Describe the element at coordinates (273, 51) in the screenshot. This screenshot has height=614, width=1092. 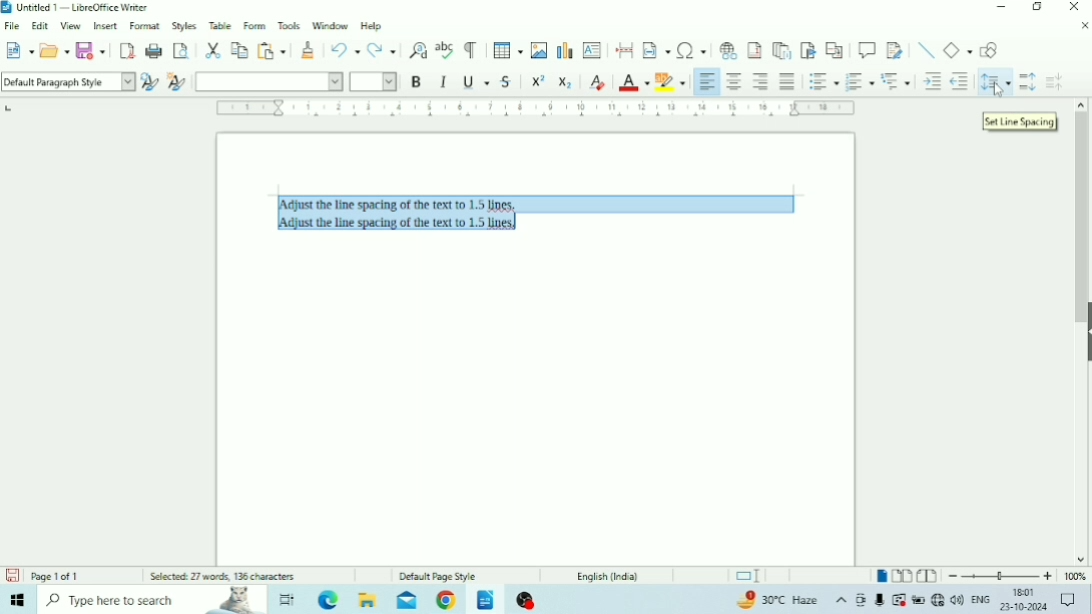
I see `Paste` at that location.